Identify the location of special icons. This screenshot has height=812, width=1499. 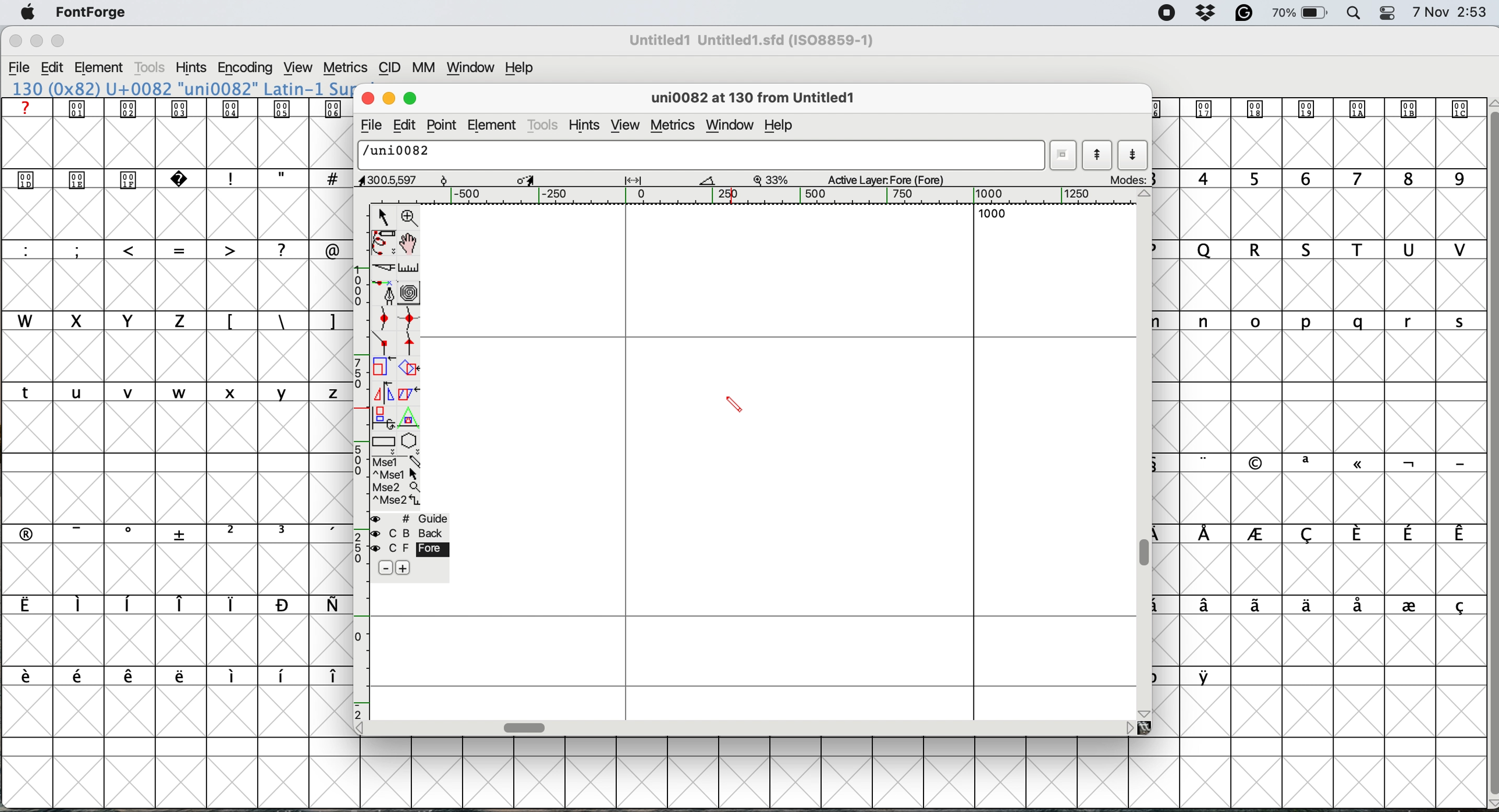
(177, 108).